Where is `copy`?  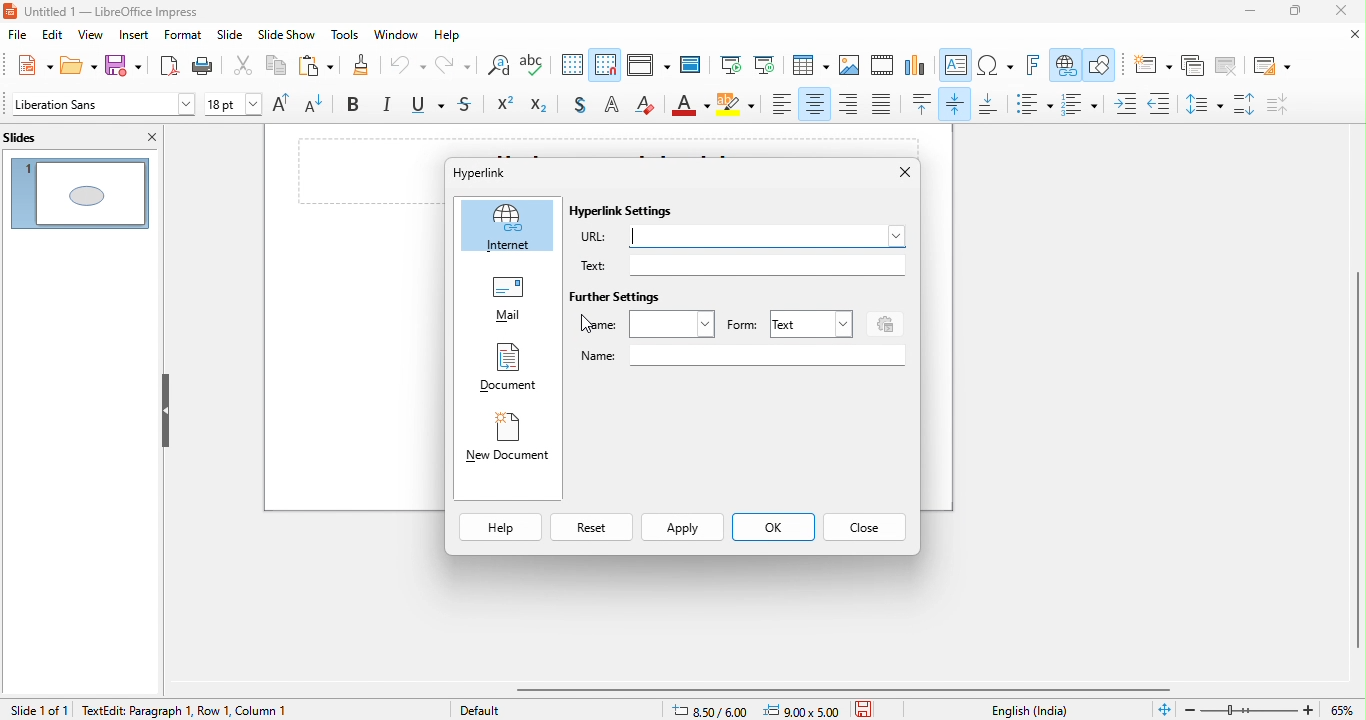 copy is located at coordinates (273, 67).